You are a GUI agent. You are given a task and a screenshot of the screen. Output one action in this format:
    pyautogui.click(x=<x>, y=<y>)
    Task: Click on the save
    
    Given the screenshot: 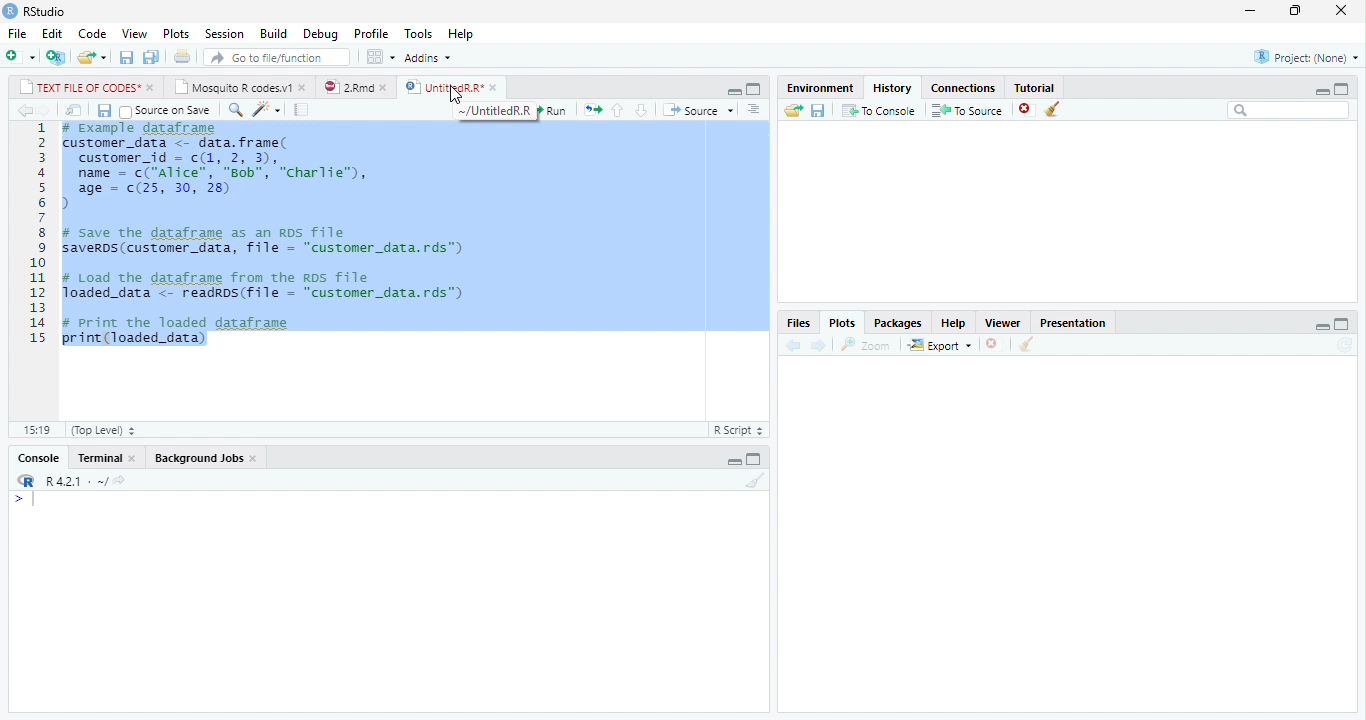 What is the action you would take?
    pyautogui.click(x=819, y=111)
    